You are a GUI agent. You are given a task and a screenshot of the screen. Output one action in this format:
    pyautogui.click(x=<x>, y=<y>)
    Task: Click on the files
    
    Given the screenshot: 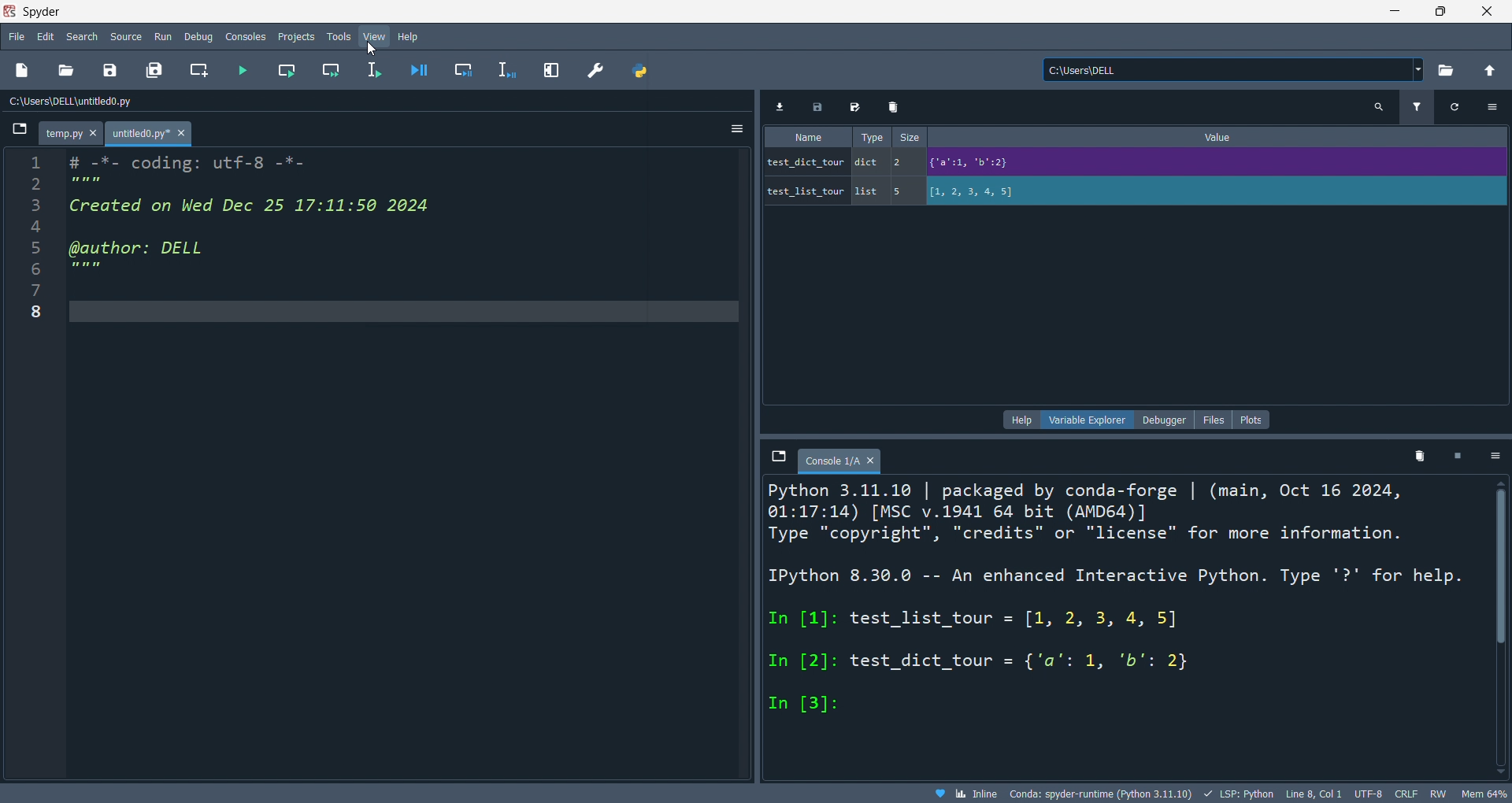 What is the action you would take?
    pyautogui.click(x=1212, y=419)
    